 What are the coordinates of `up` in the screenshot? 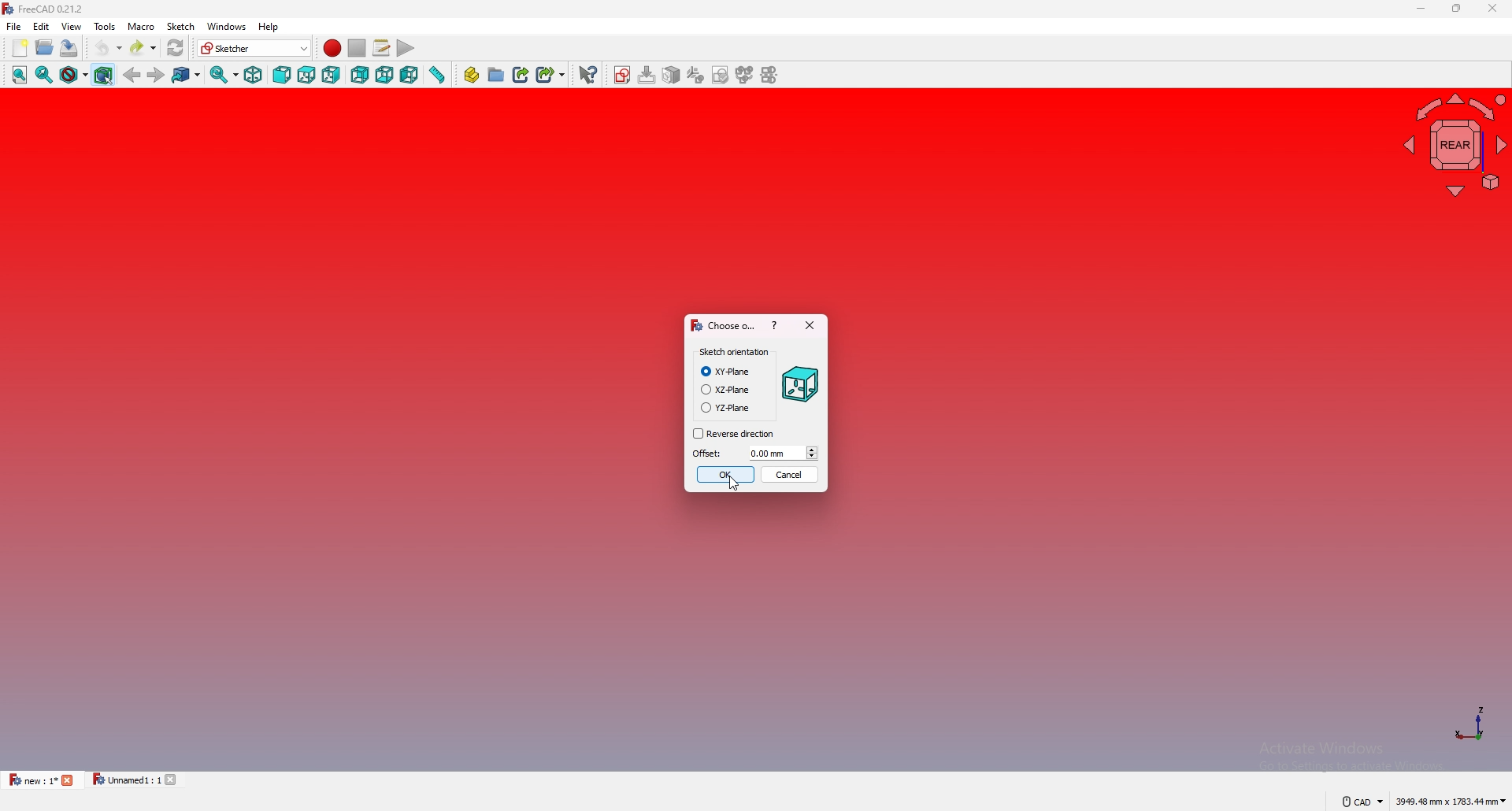 It's located at (816, 448).